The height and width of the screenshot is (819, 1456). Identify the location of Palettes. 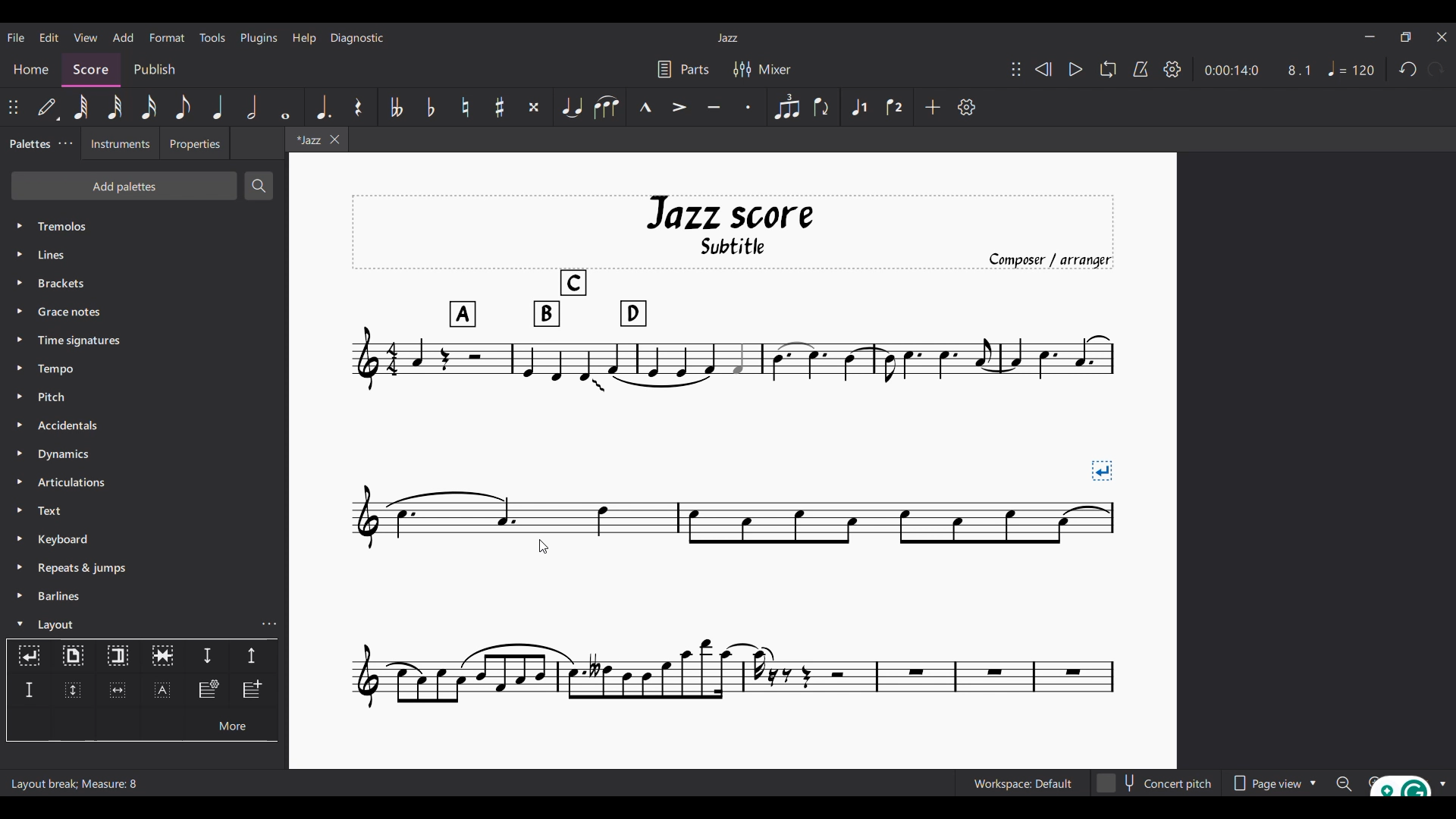
(29, 145).